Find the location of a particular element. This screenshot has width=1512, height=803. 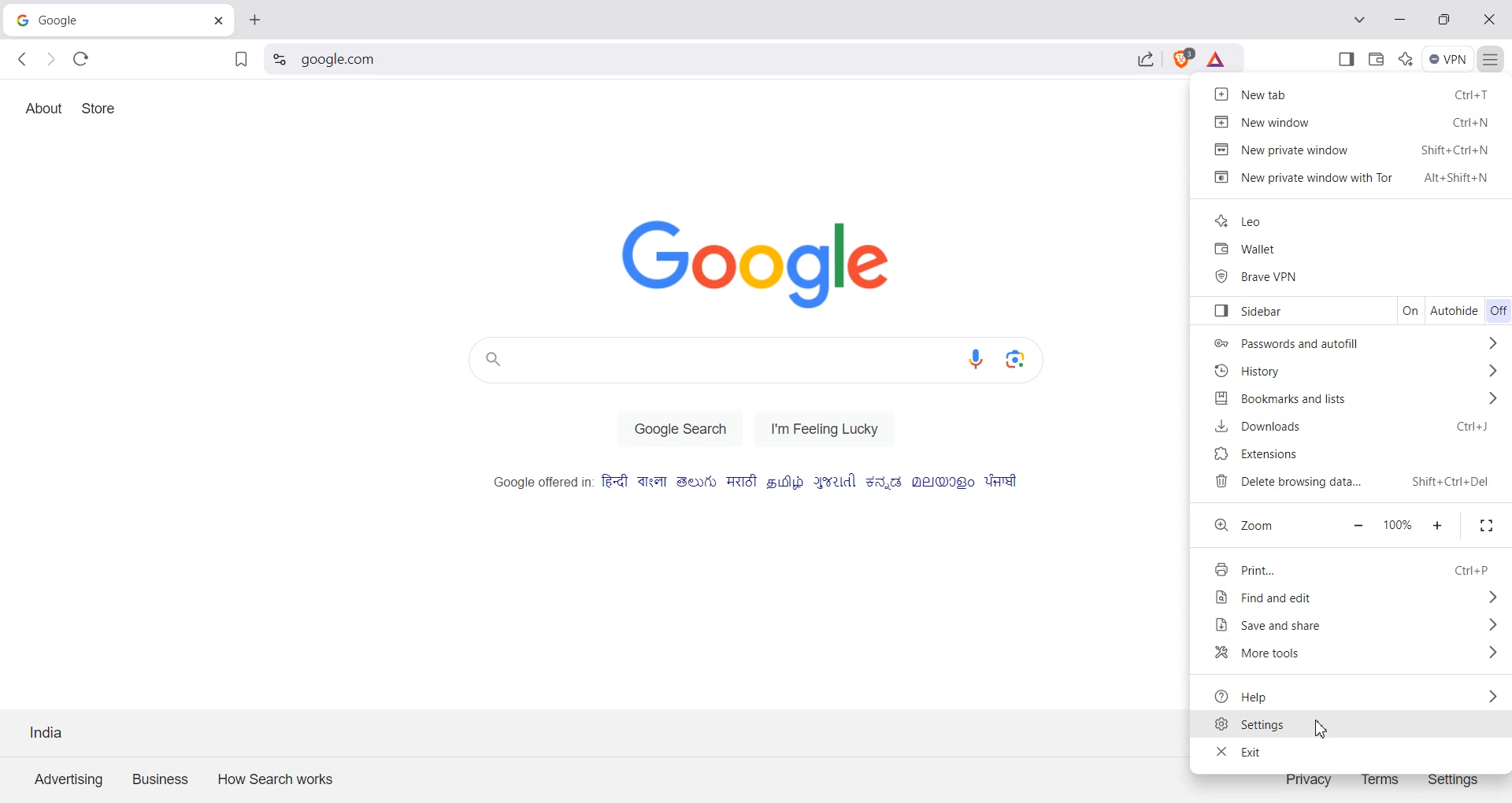

Zoom is located at coordinates (1262, 526).